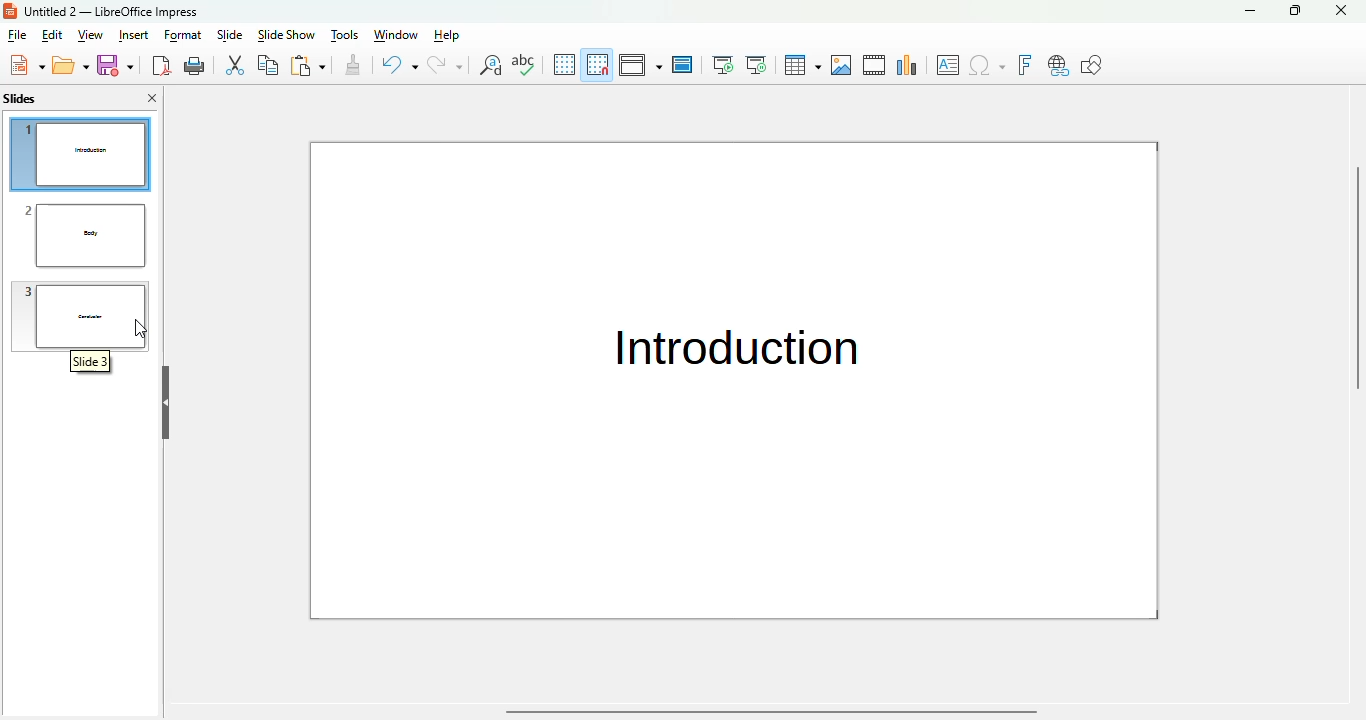  I want to click on insert chart, so click(908, 64).